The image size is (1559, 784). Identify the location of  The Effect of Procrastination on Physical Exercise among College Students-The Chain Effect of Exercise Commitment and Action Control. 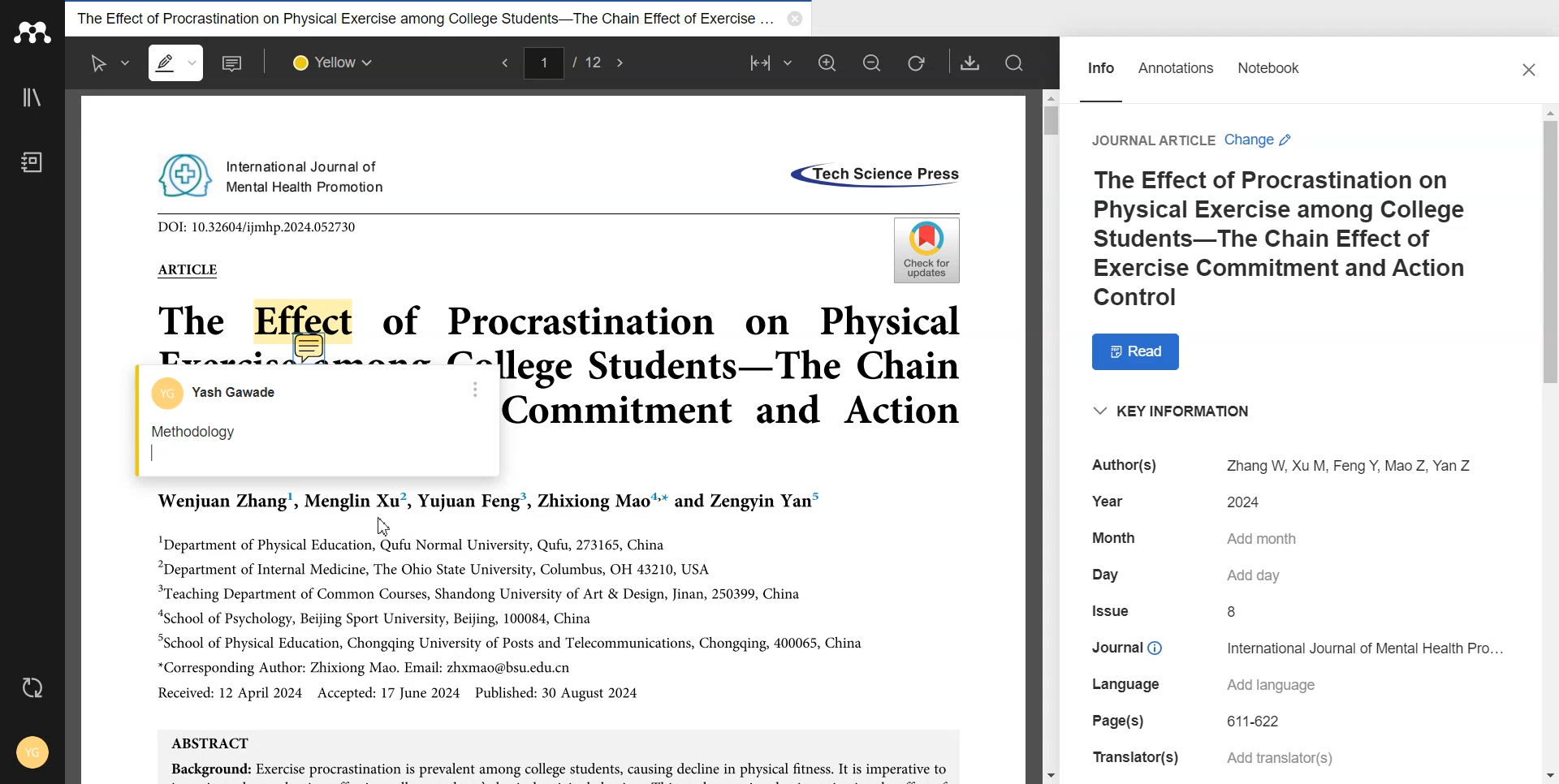
(1293, 239).